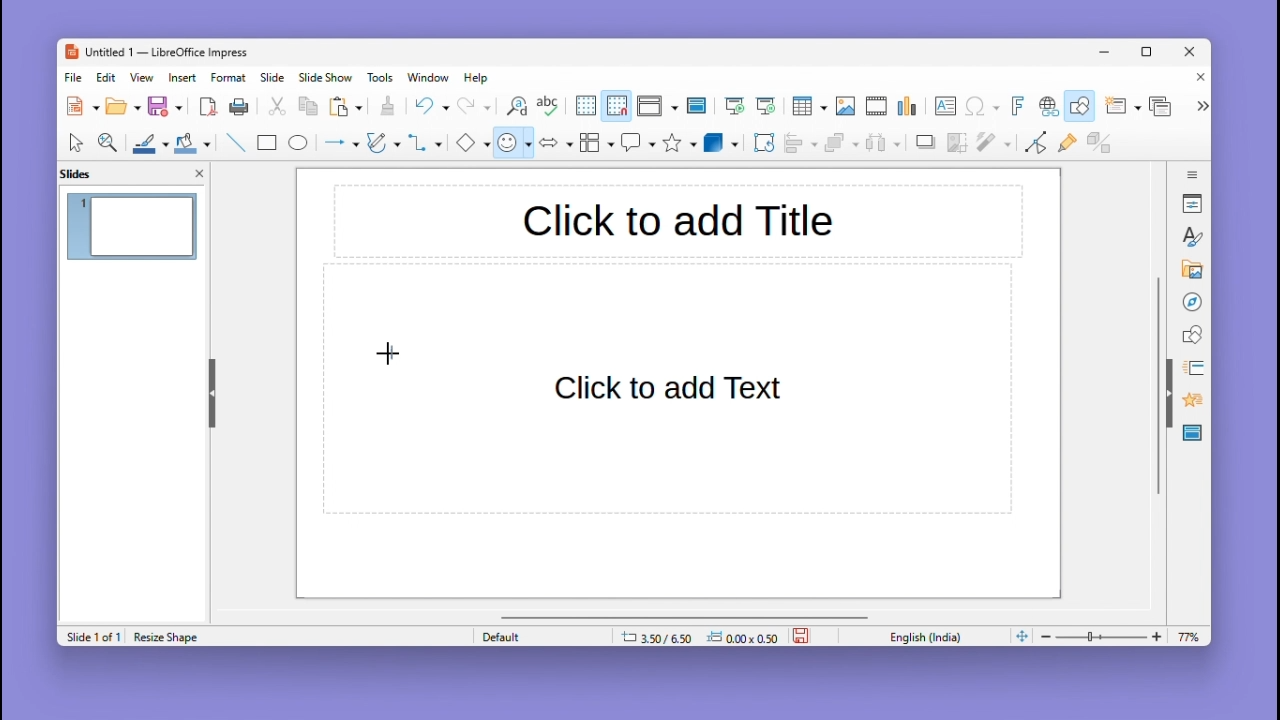  I want to click on Image, so click(845, 107).